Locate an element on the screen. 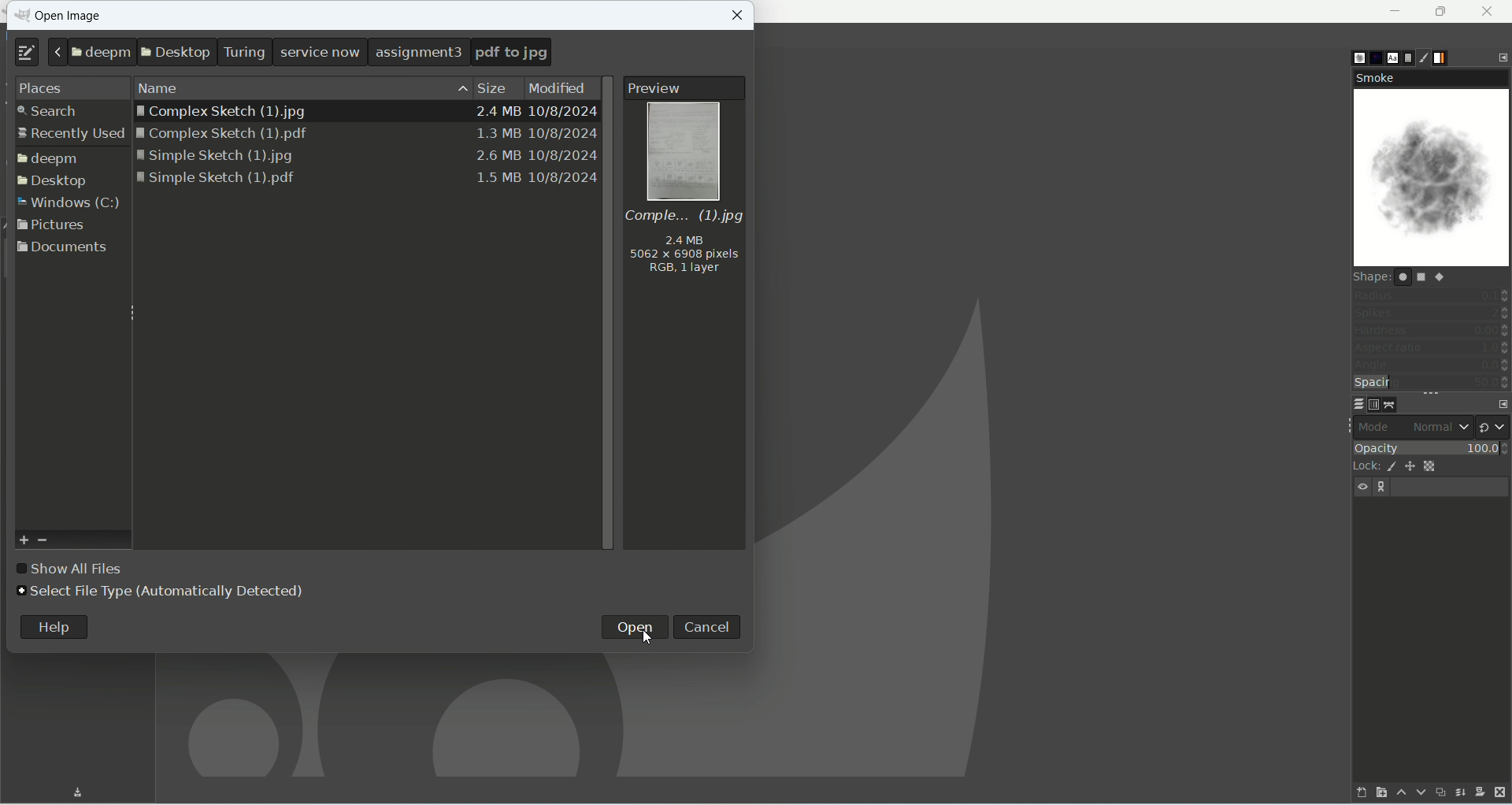 The height and width of the screenshot is (805, 1512). spikes is located at coordinates (1432, 311).